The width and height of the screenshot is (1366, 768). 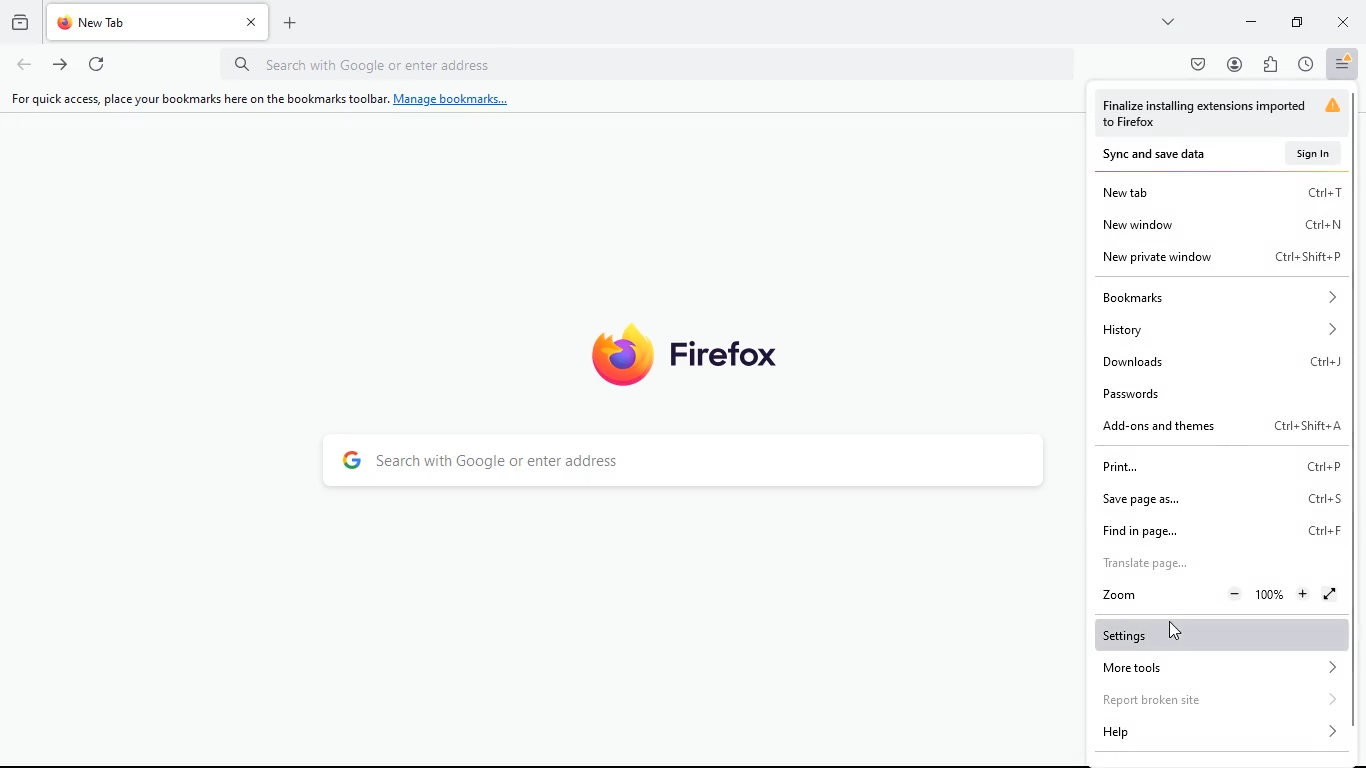 I want to click on report broken site, so click(x=1221, y=702).